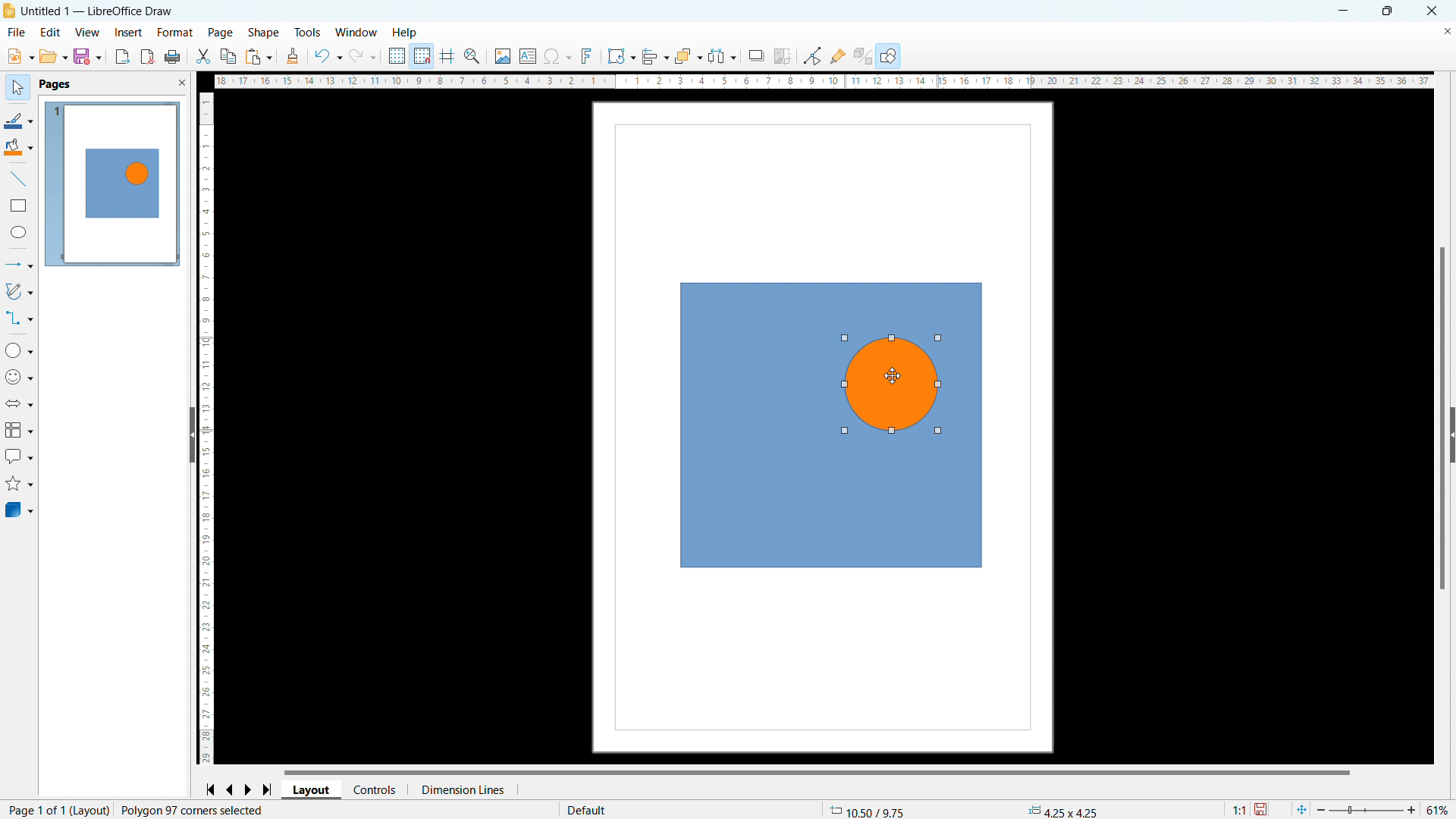  I want to click on display grid, so click(396, 56).